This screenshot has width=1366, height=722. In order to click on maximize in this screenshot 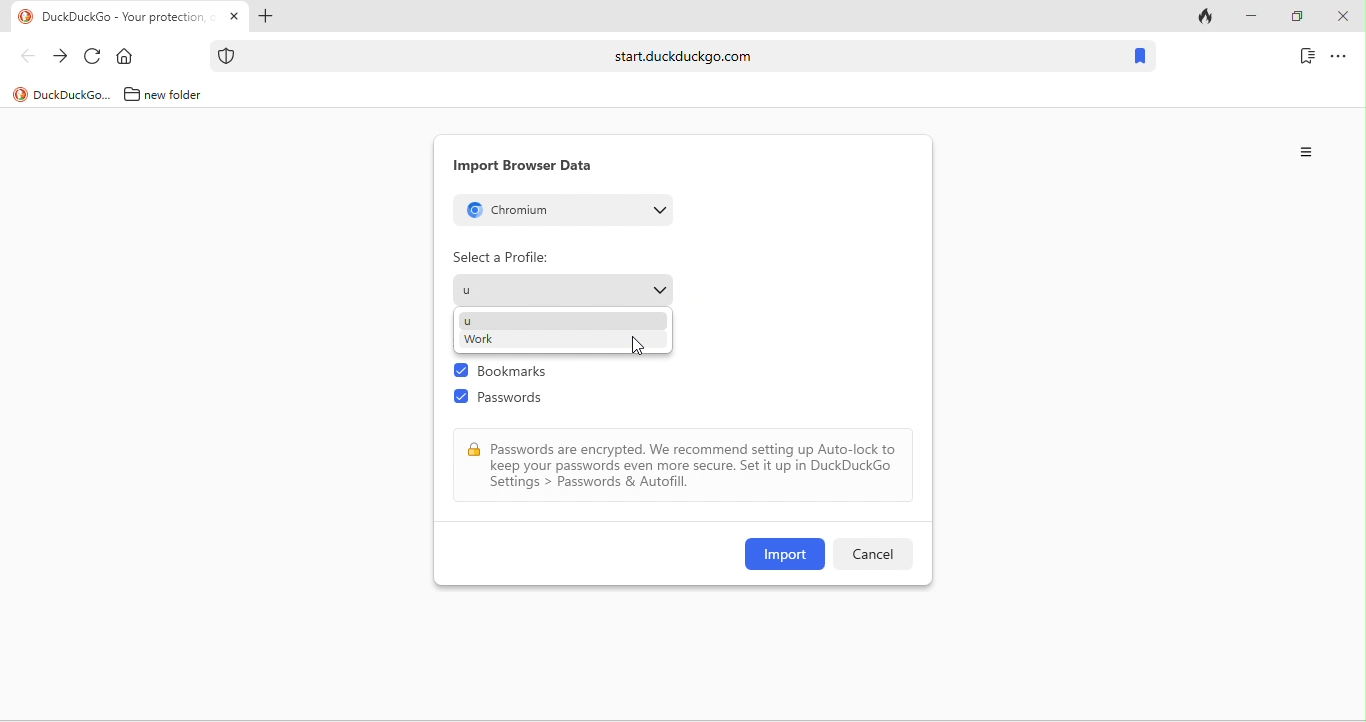, I will do `click(1296, 17)`.